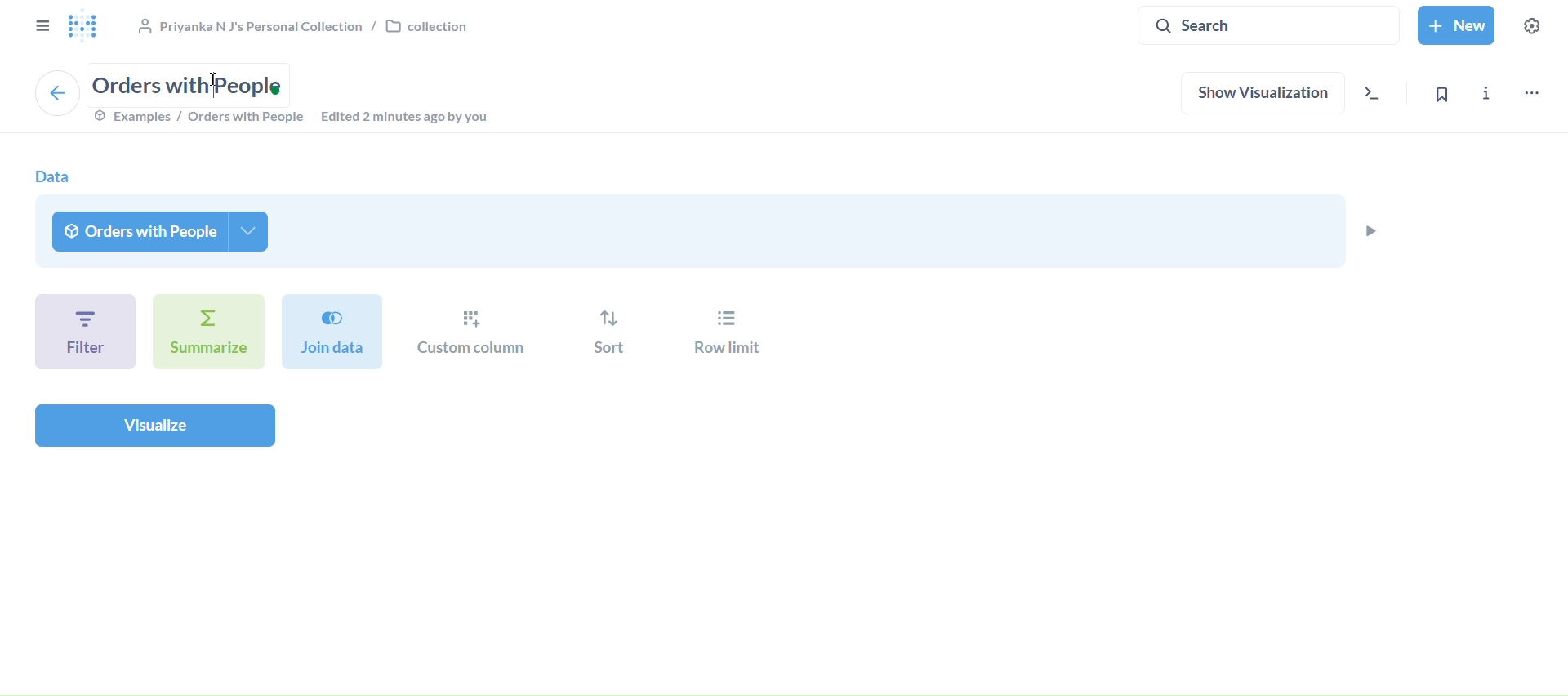 Image resolution: width=1568 pixels, height=696 pixels. What do you see at coordinates (85, 26) in the screenshot?
I see `logo` at bounding box center [85, 26].